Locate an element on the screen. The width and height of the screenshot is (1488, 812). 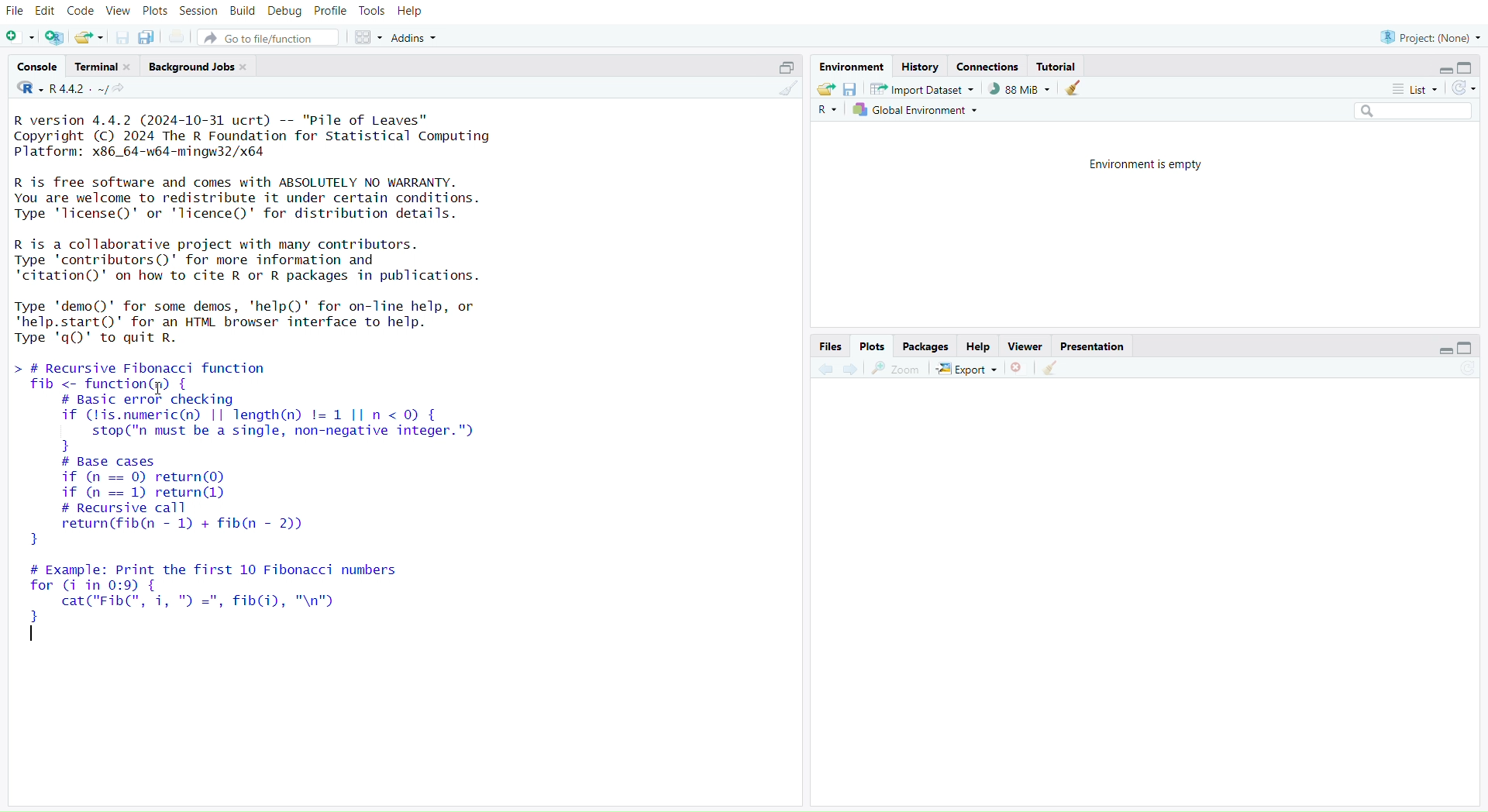
presentation is located at coordinates (1092, 347).